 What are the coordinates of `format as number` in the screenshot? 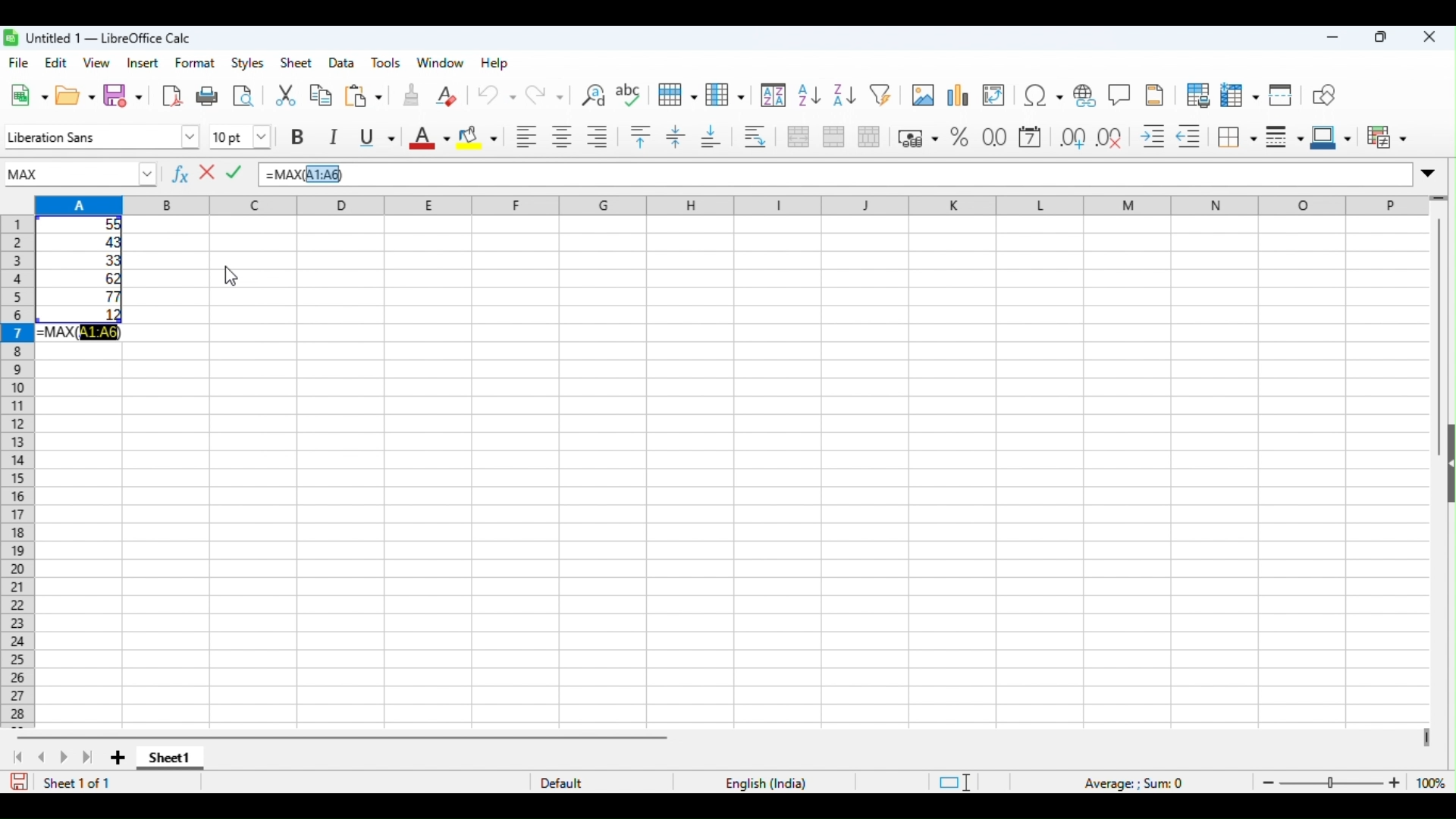 It's located at (995, 138).